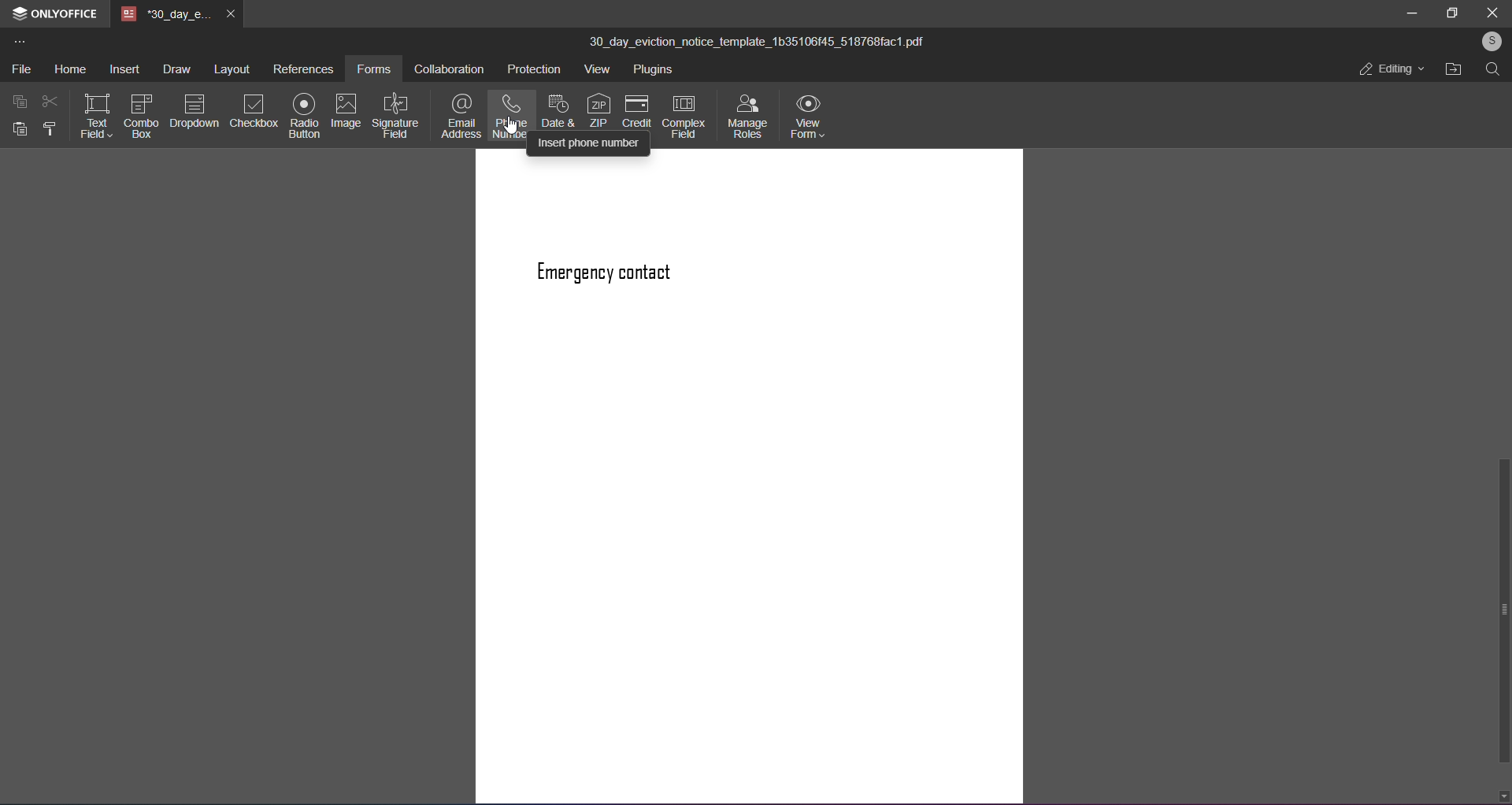 Image resolution: width=1512 pixels, height=805 pixels. I want to click on file, so click(21, 71).